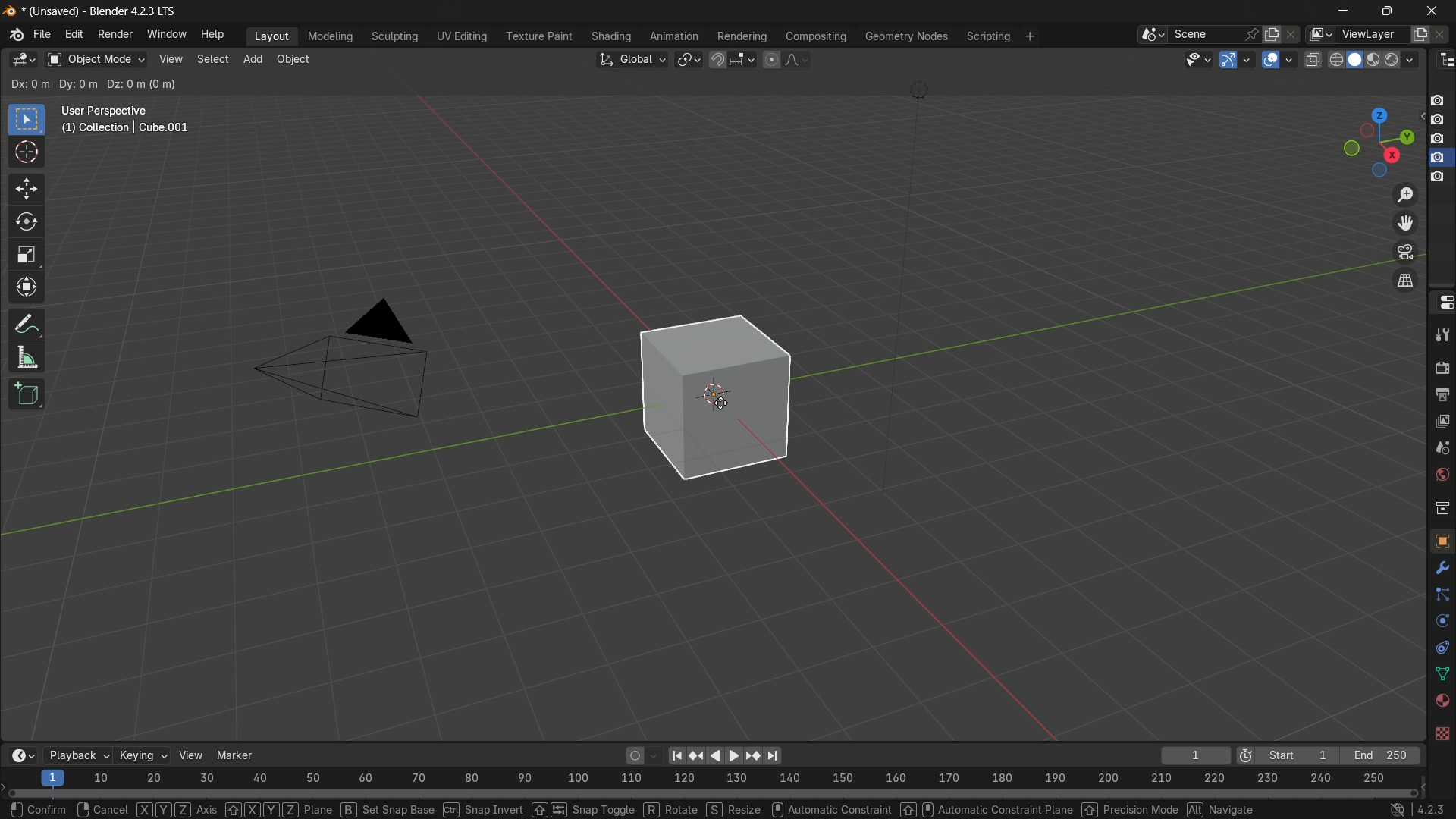  I want to click on select tab, so click(215, 58).